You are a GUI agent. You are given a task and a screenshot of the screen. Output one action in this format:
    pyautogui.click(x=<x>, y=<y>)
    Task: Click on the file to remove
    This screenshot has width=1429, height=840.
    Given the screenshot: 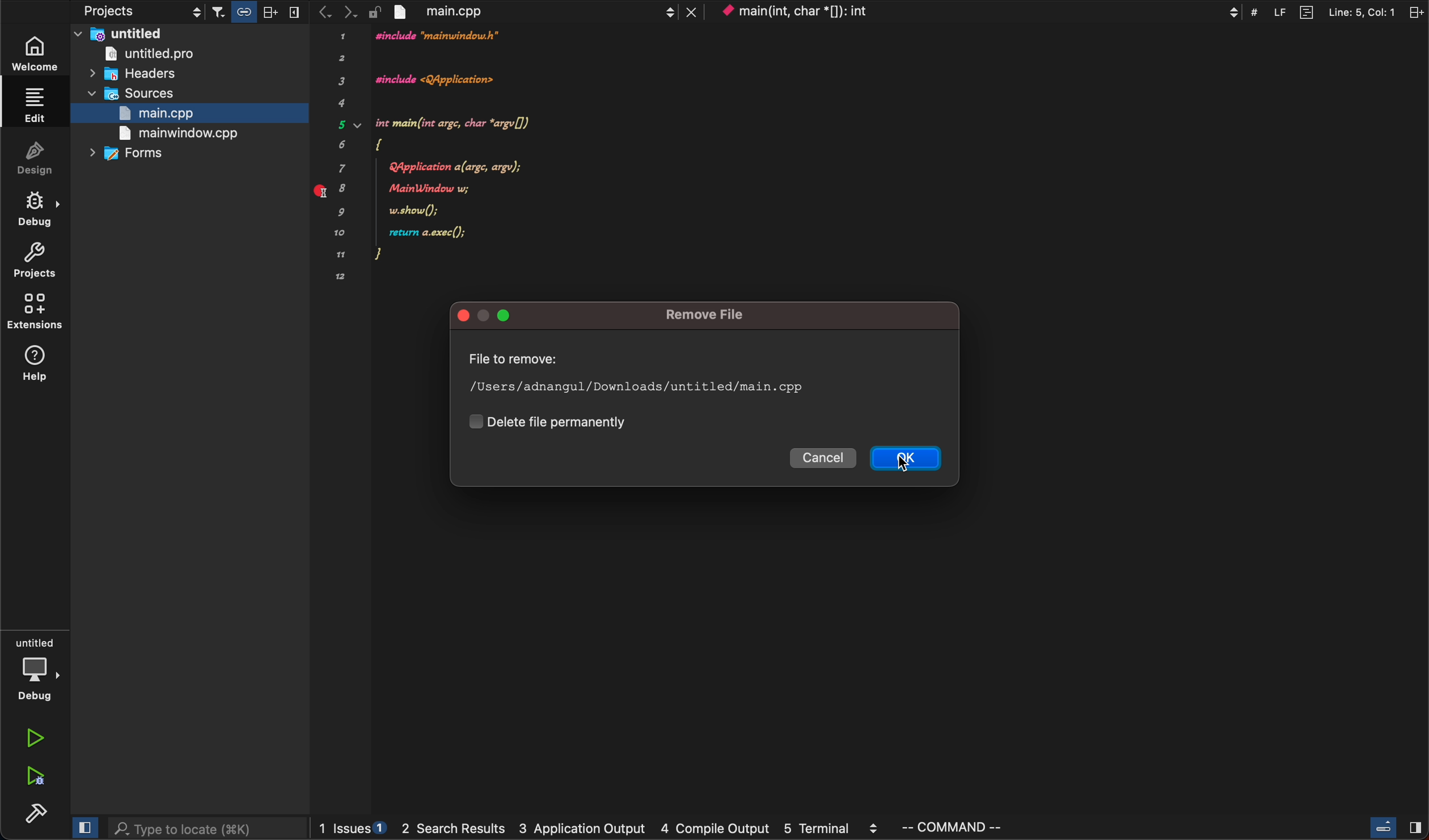 What is the action you would take?
    pyautogui.click(x=647, y=376)
    